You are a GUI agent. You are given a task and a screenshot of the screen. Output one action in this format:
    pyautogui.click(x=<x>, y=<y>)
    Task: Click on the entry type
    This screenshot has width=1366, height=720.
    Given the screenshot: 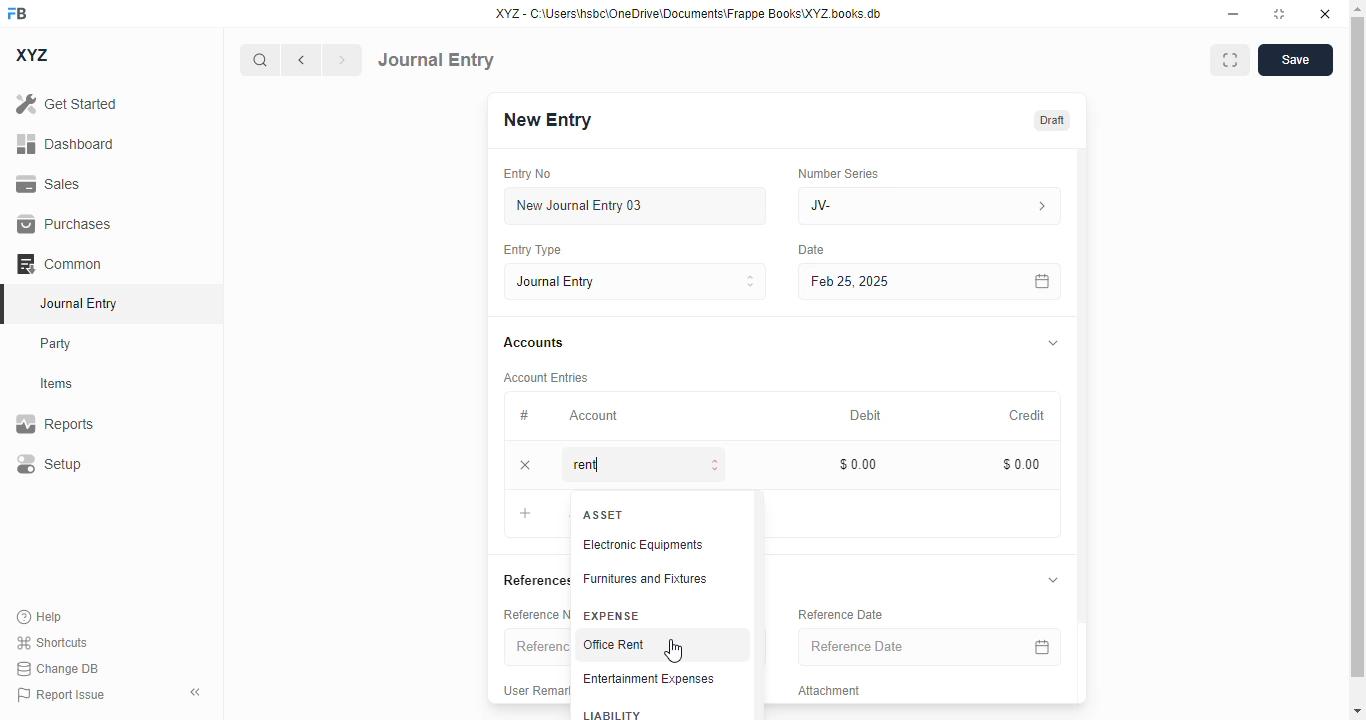 What is the action you would take?
    pyautogui.click(x=636, y=281)
    